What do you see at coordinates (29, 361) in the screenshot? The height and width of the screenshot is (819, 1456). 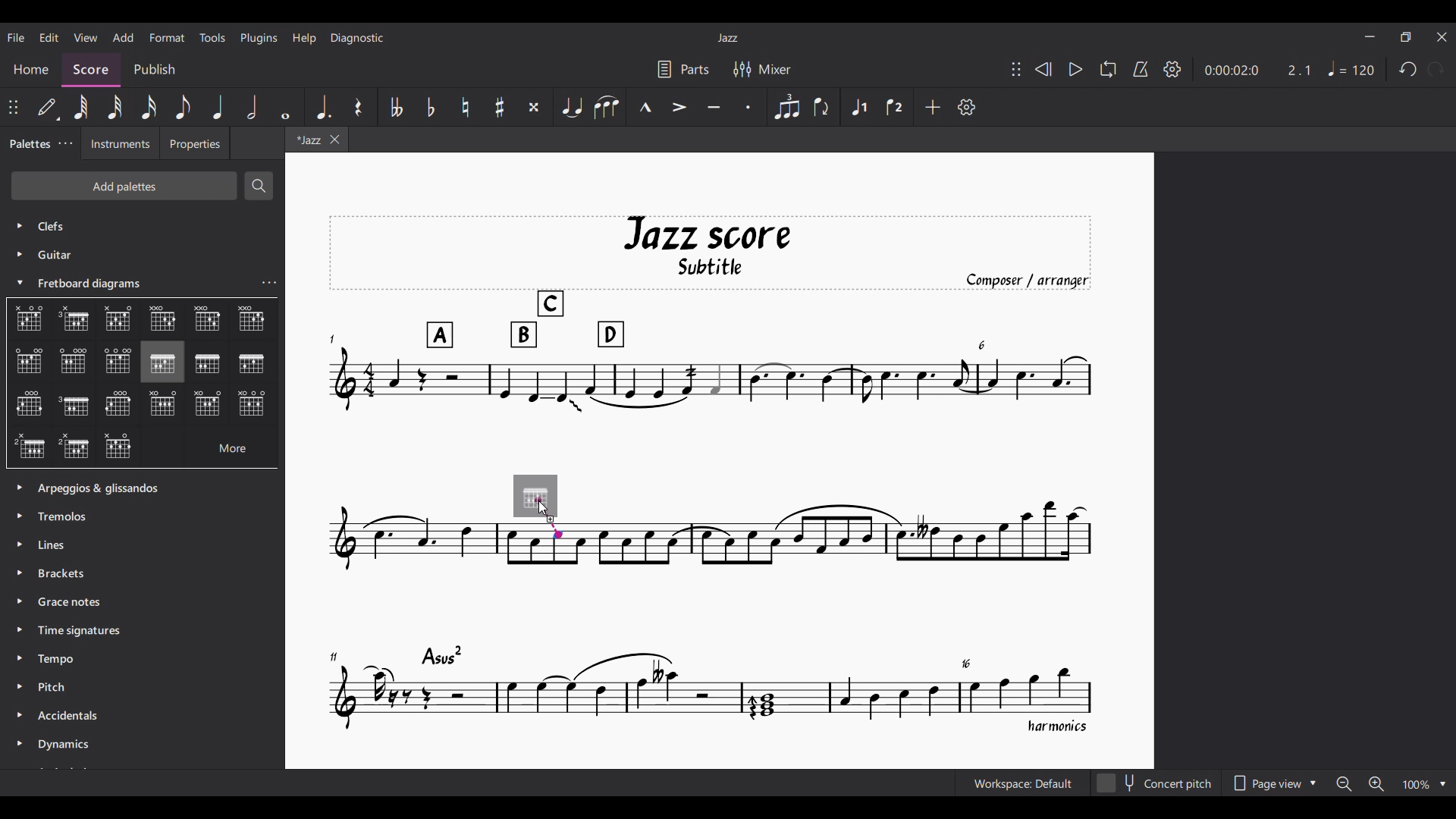 I see `Chart 6` at bounding box center [29, 361].